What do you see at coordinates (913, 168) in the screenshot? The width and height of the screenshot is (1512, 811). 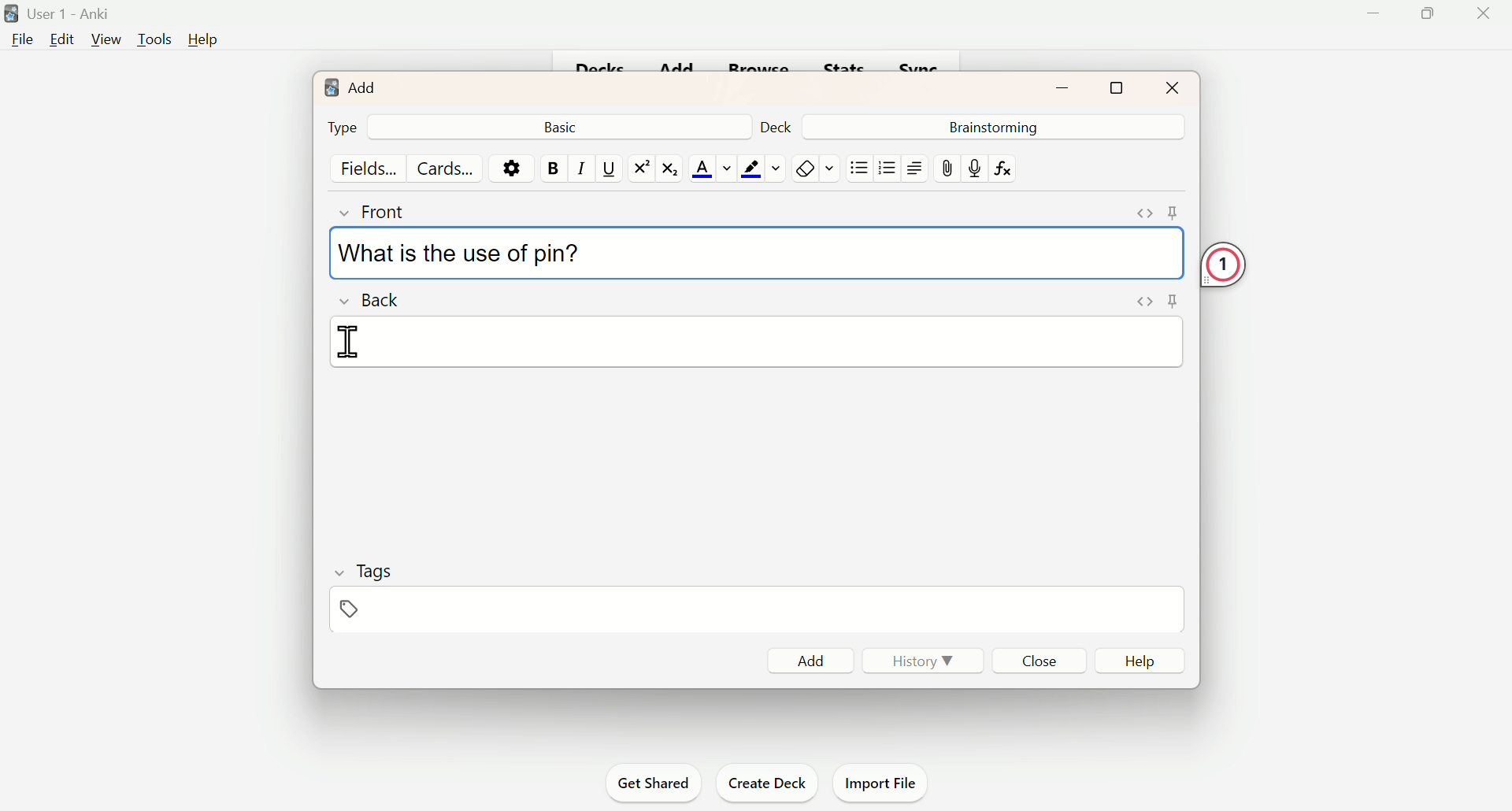 I see `Text Alignment` at bounding box center [913, 168].